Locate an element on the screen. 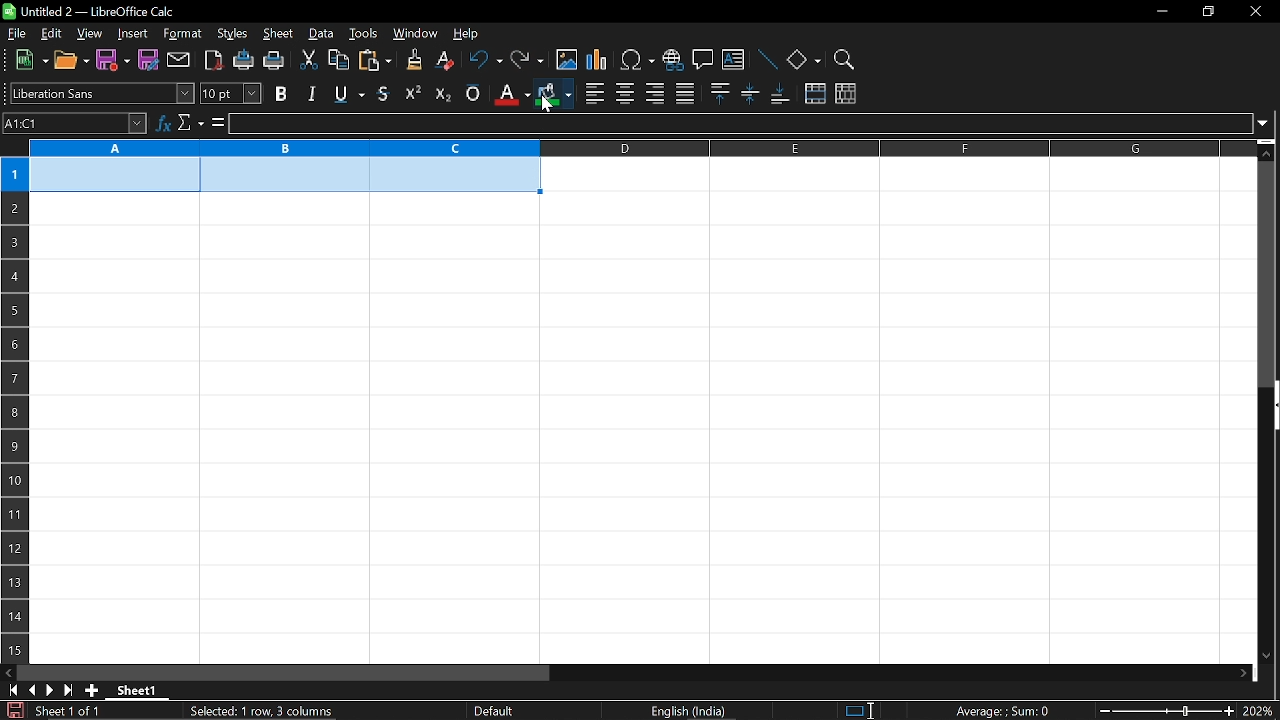 This screenshot has width=1280, height=720. align left is located at coordinates (594, 92).